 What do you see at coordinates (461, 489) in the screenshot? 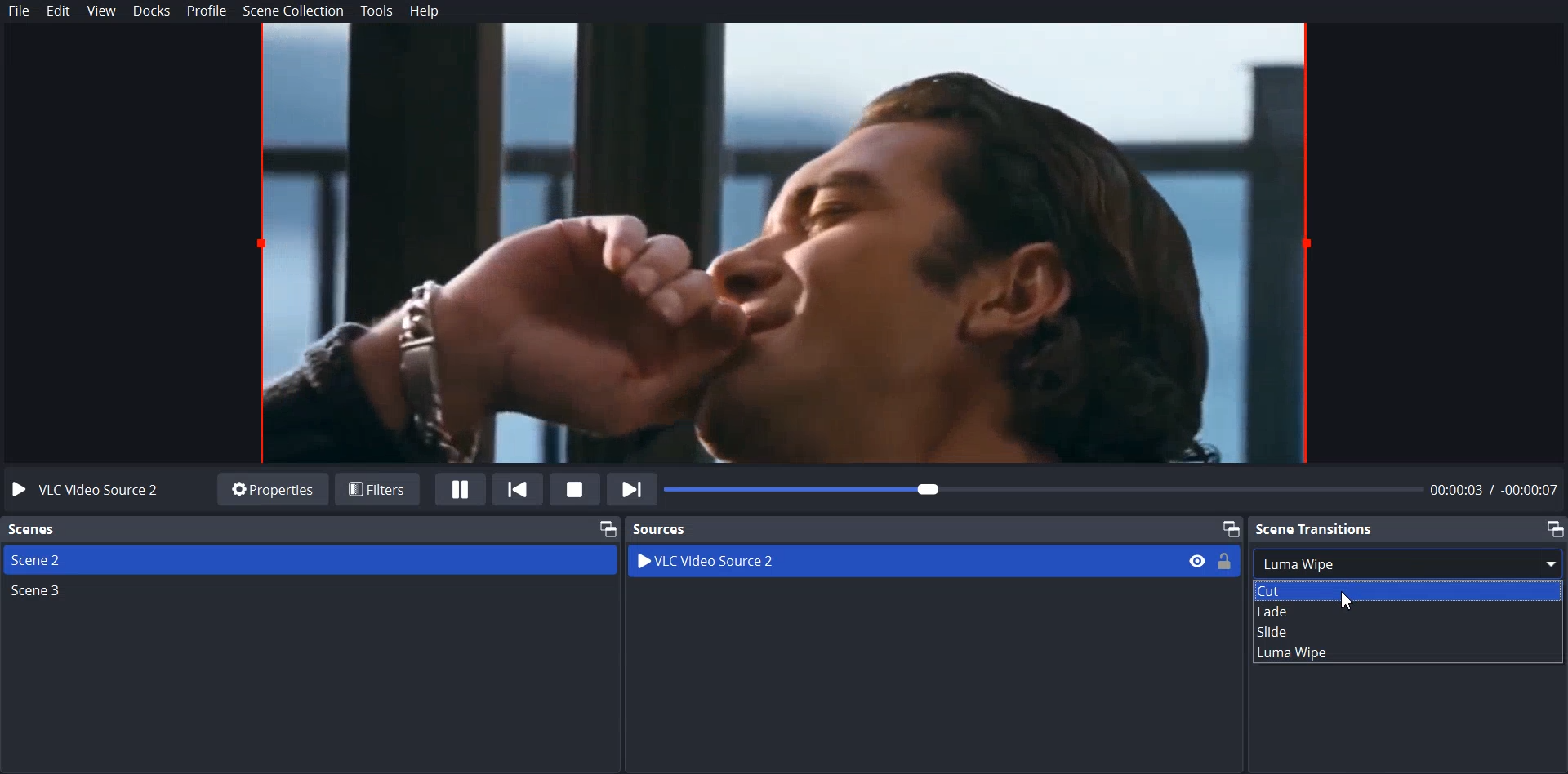
I see `Pause Media` at bounding box center [461, 489].